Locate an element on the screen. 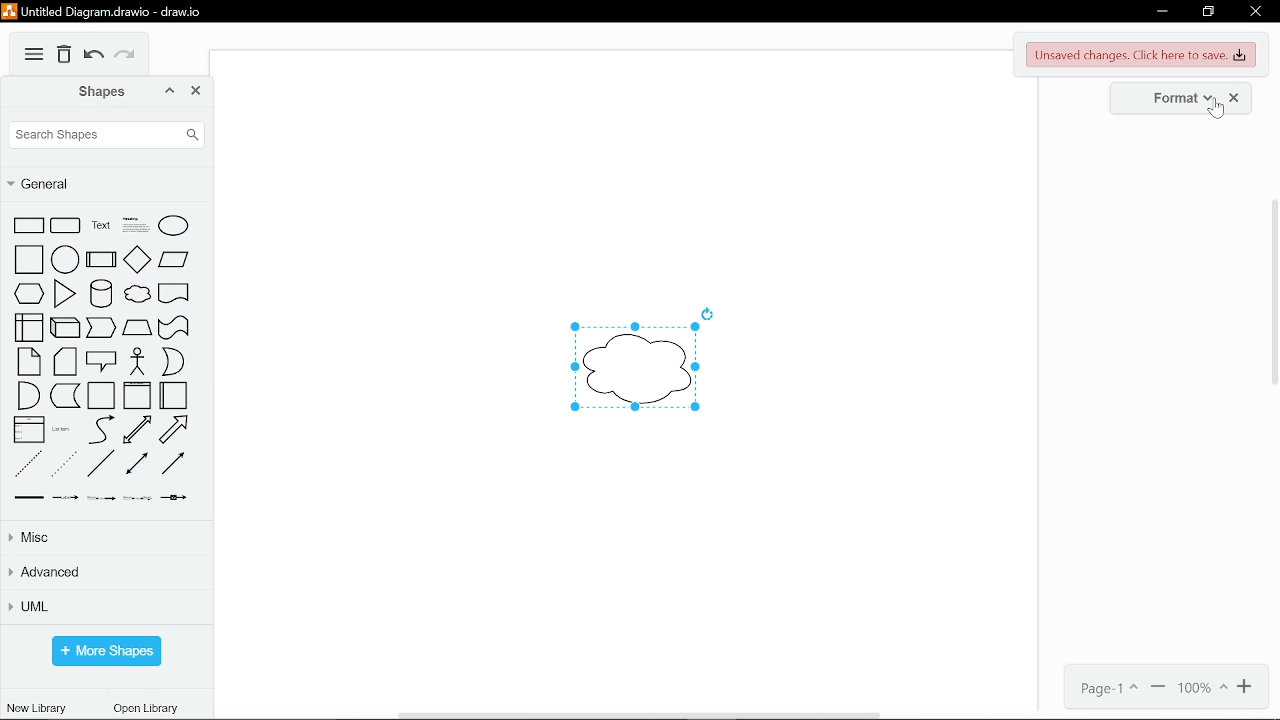 Image resolution: width=1280 pixels, height=720 pixels. connector with two label is located at coordinates (103, 498).